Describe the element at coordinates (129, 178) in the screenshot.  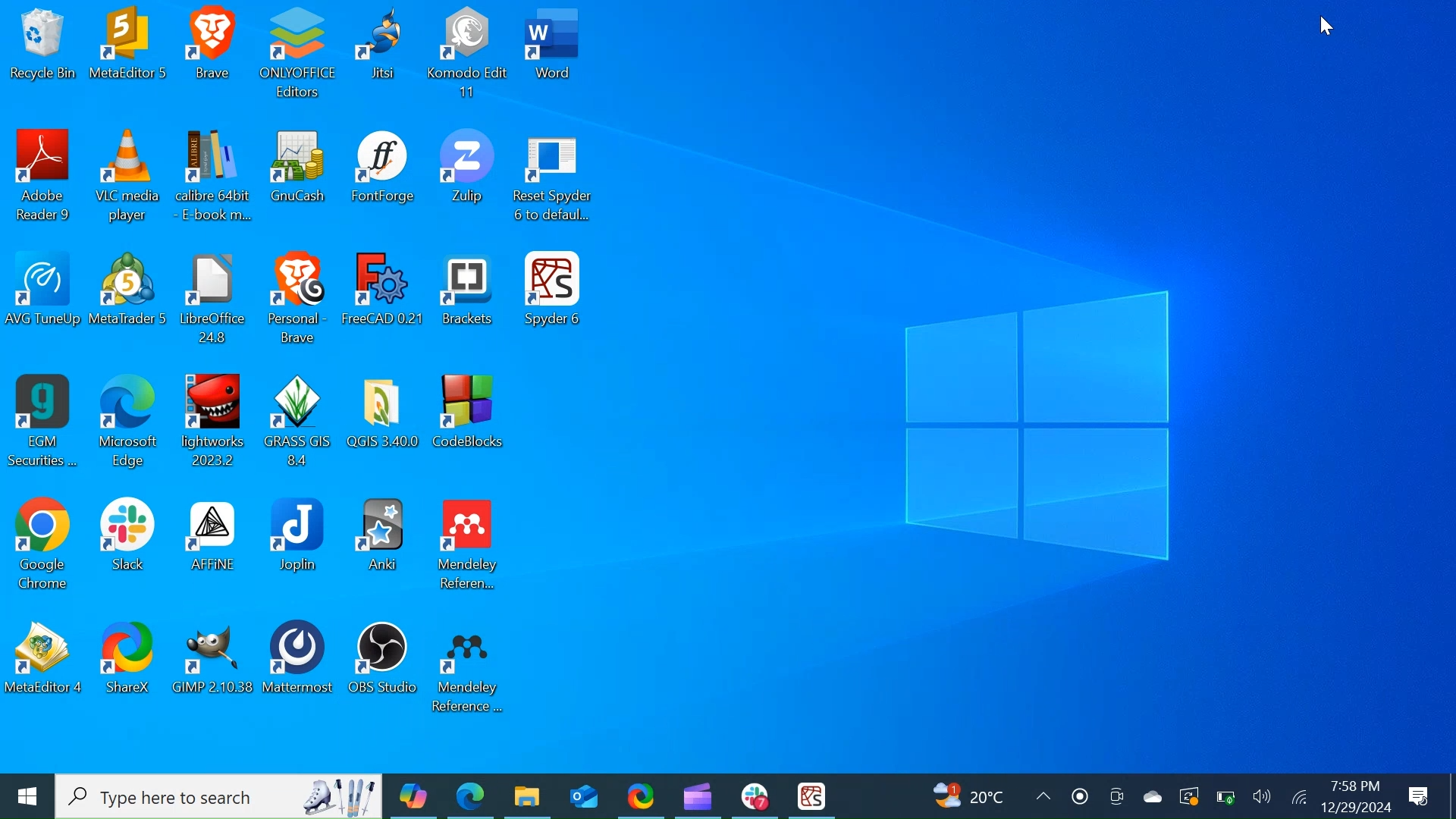
I see `VLC Media Player Desktop icon` at that location.